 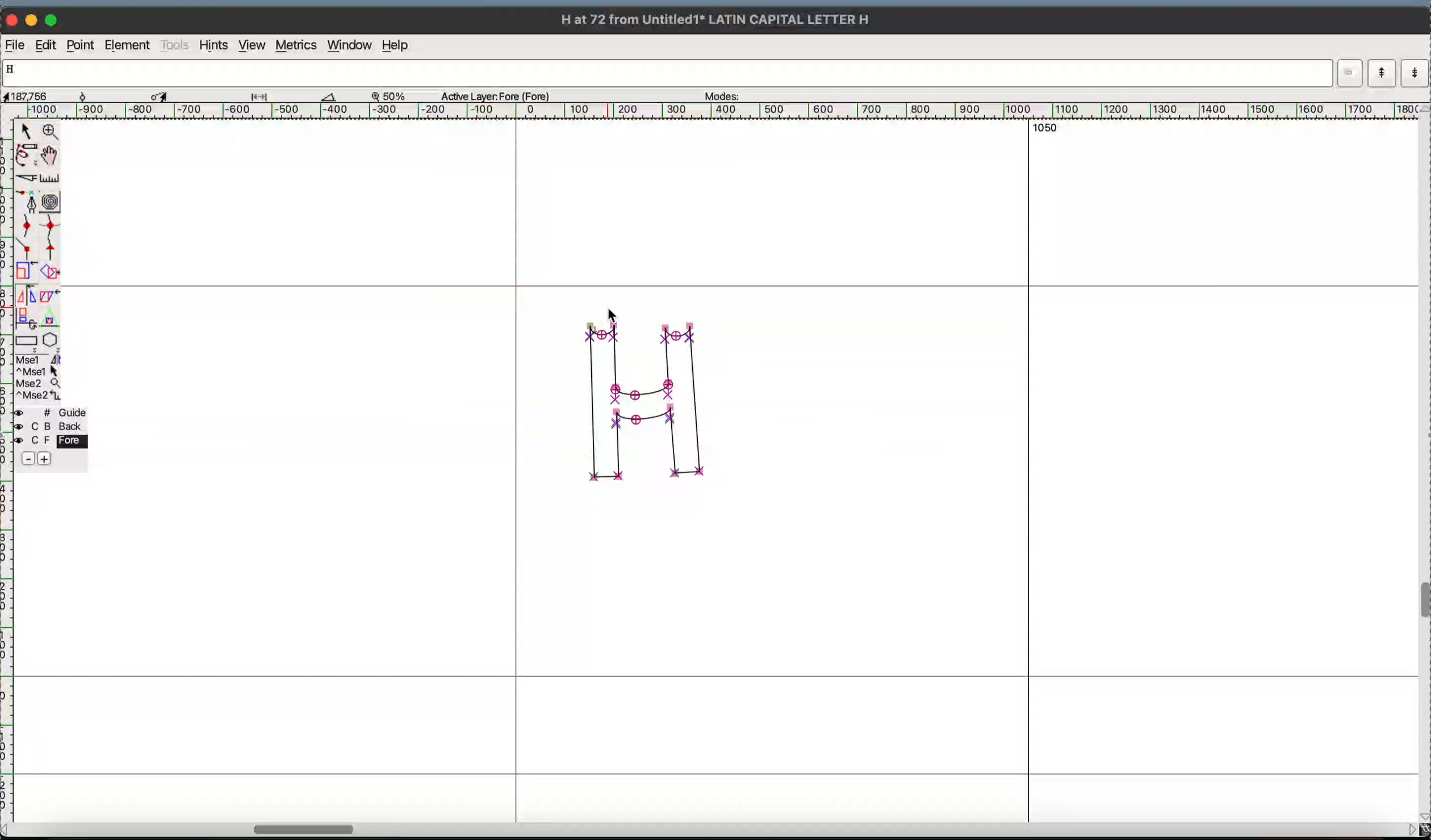 I want to click on help, so click(x=398, y=43).